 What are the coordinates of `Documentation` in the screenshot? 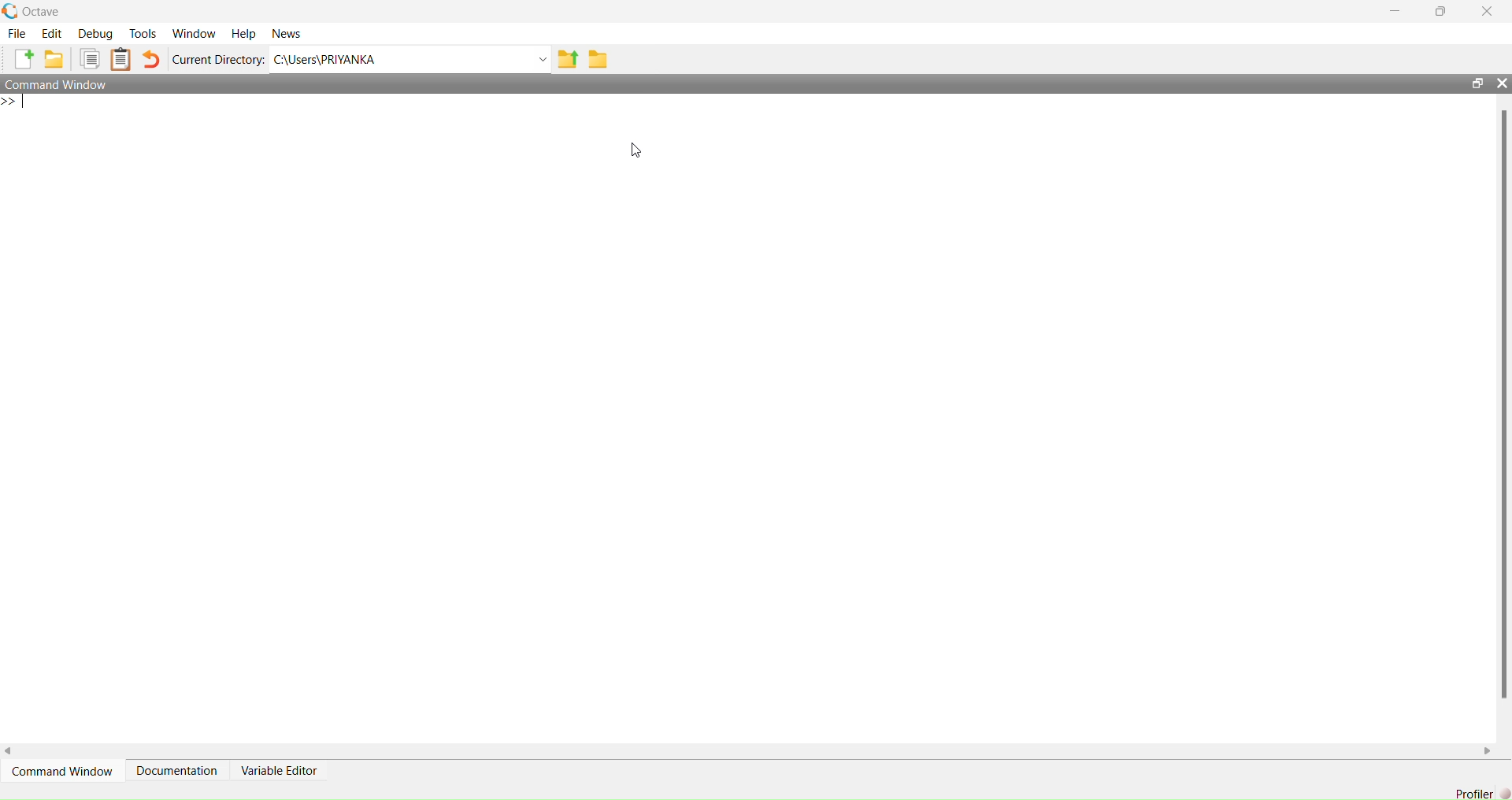 It's located at (178, 769).